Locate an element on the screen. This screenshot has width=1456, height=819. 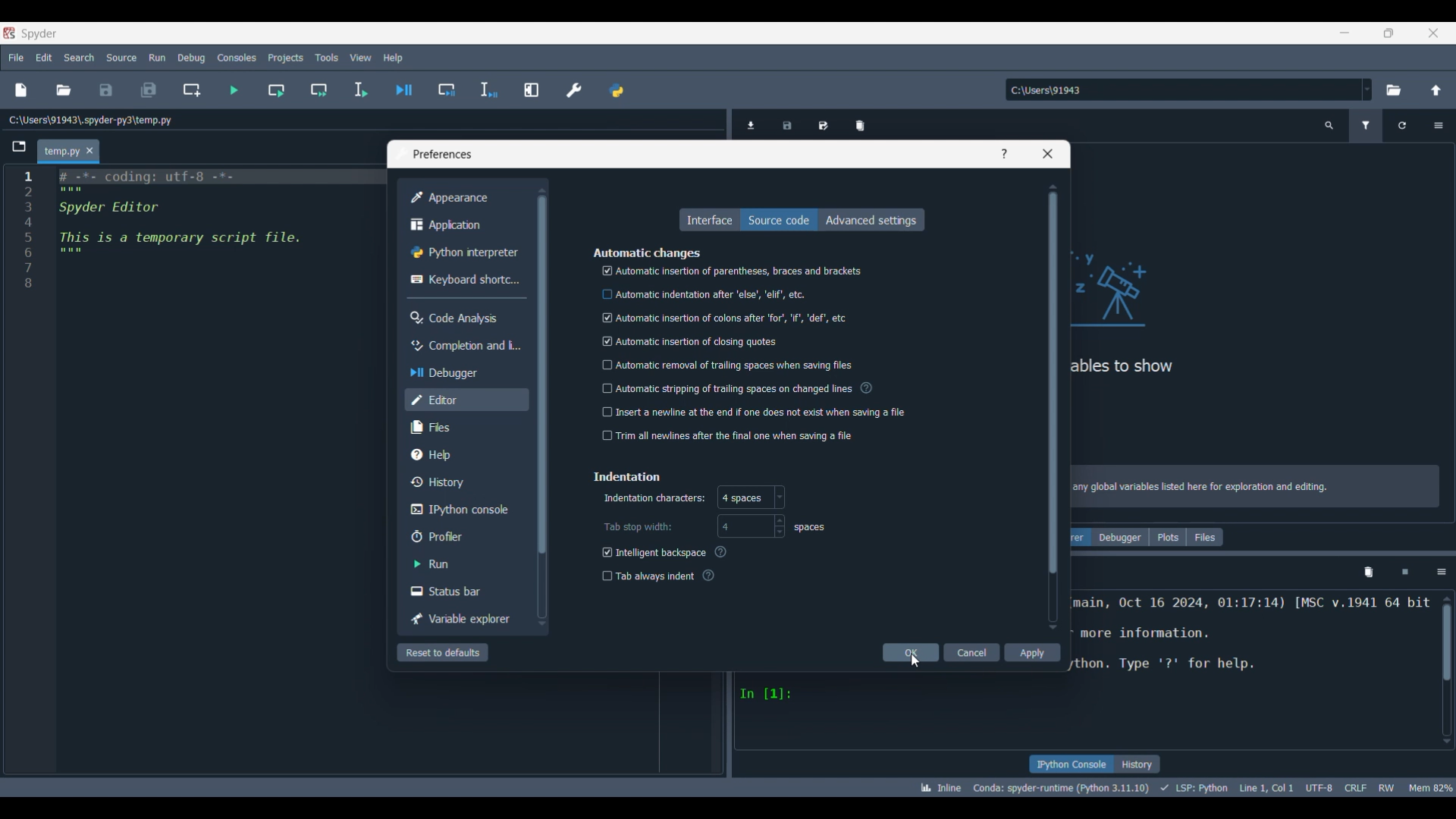
IPython console is located at coordinates (466, 510).